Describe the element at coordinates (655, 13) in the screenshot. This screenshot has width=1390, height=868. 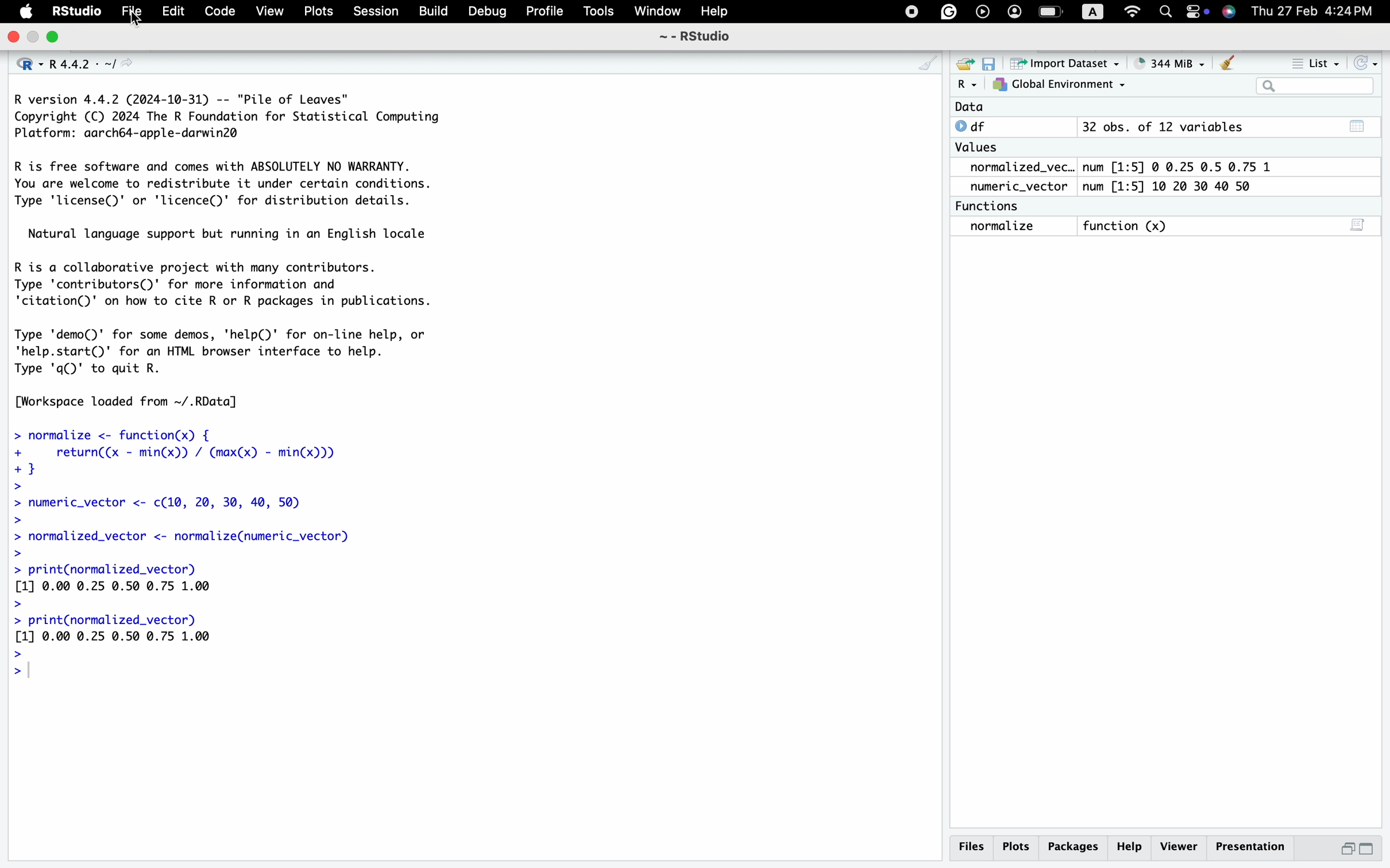
I see `Window` at that location.